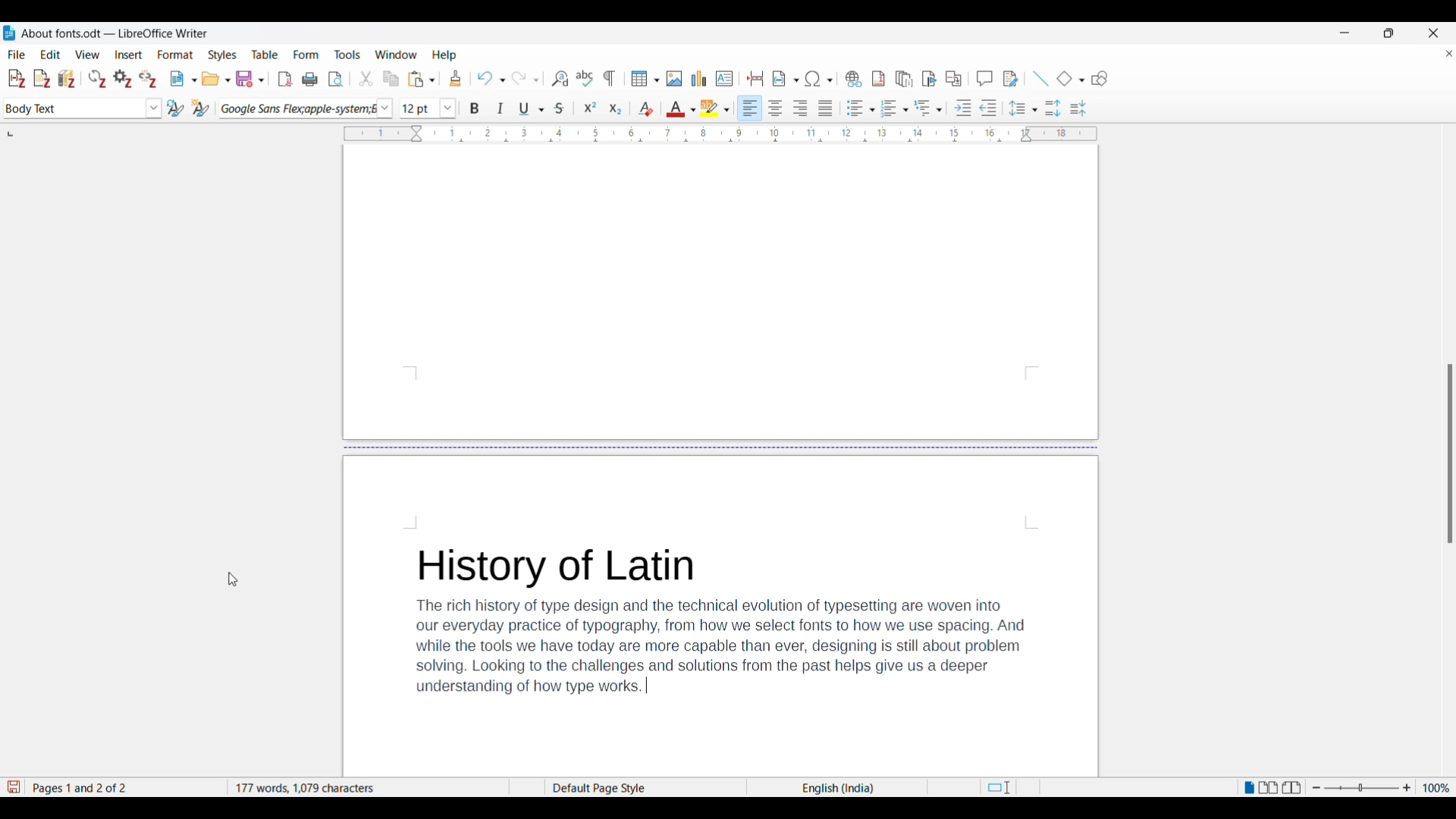  I want to click on Paste options, so click(422, 79).